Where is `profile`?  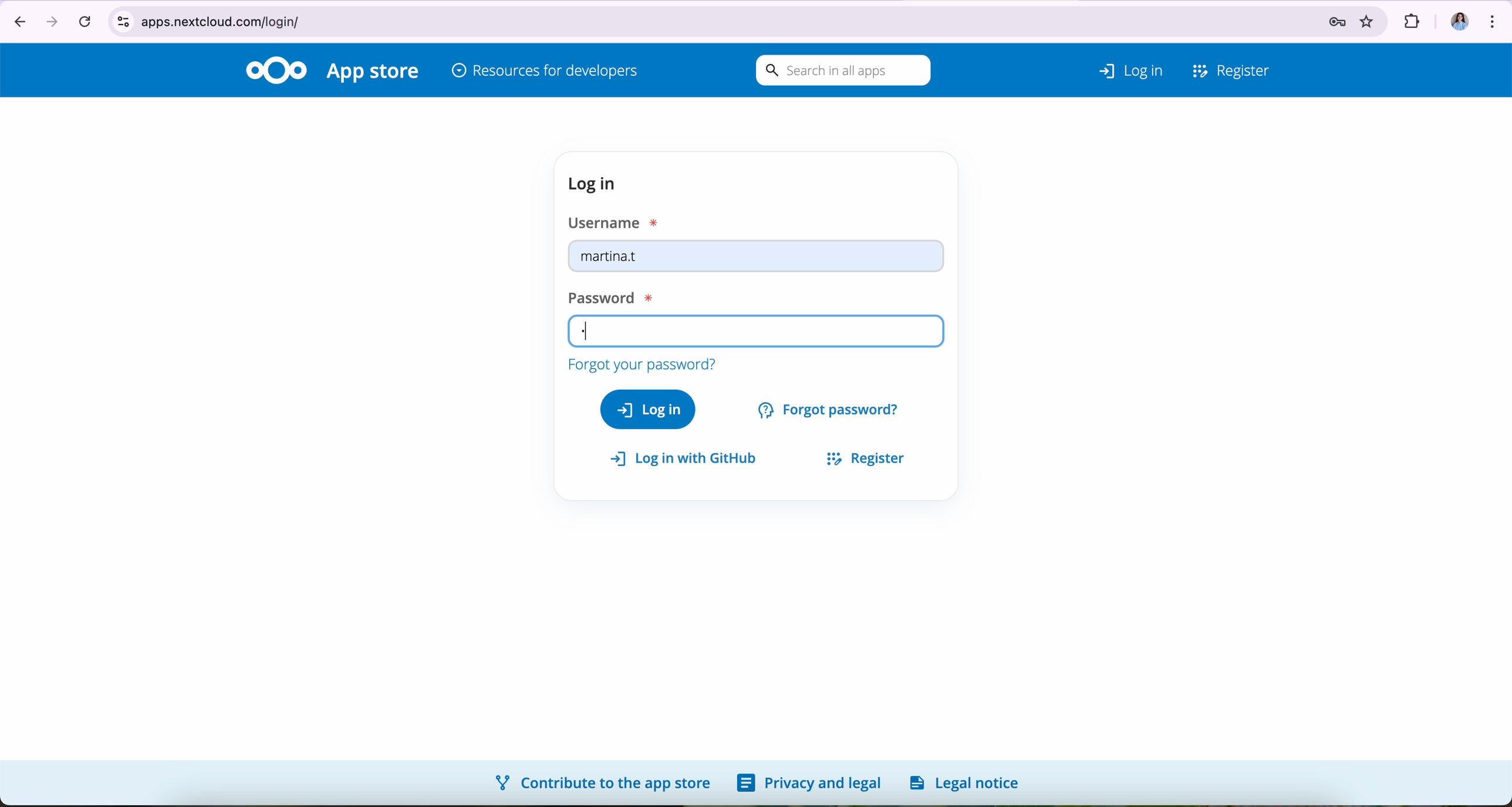
profile is located at coordinates (1454, 17).